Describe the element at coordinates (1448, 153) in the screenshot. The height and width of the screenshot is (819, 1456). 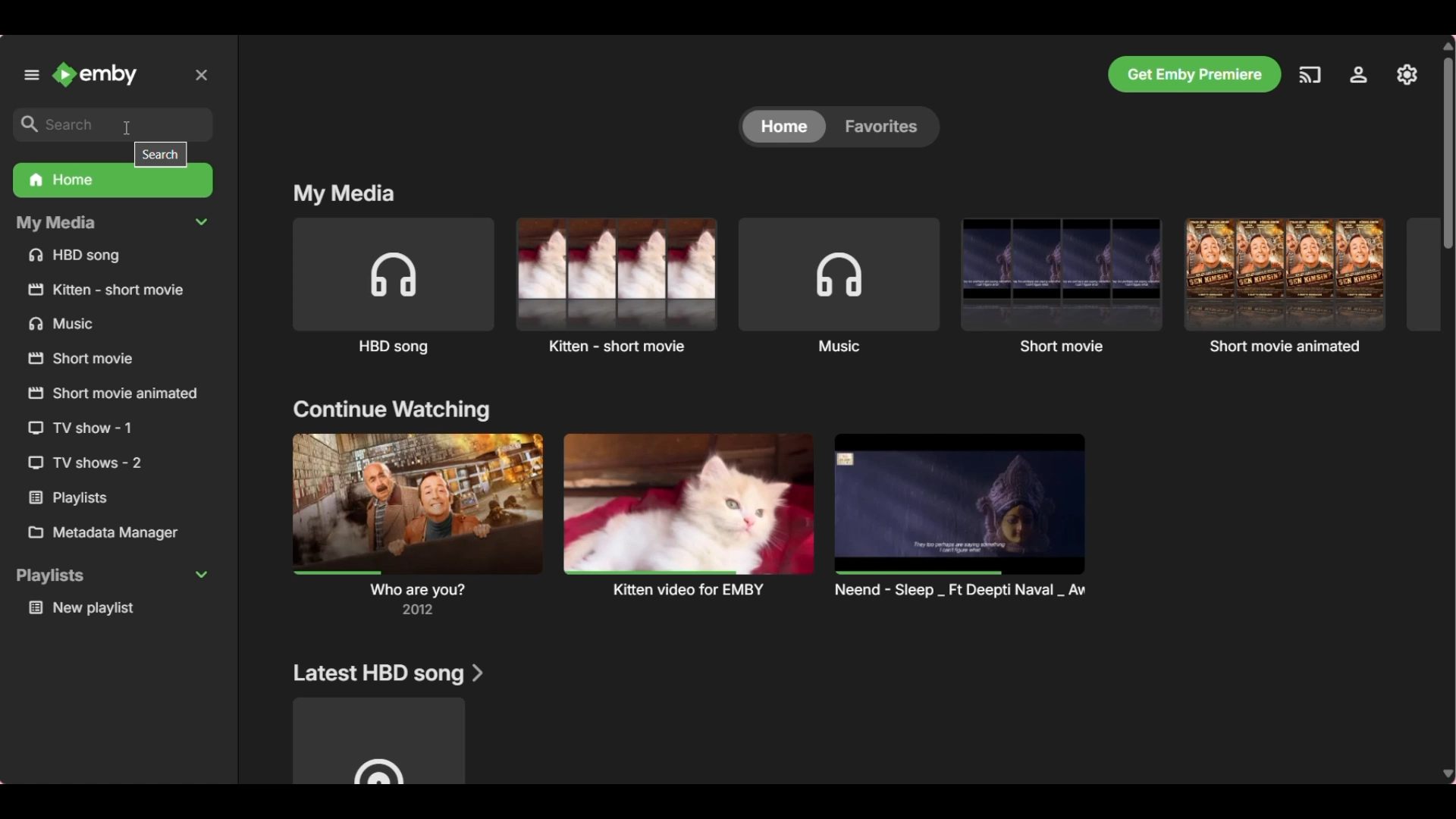
I see `Vertical slide bar` at that location.